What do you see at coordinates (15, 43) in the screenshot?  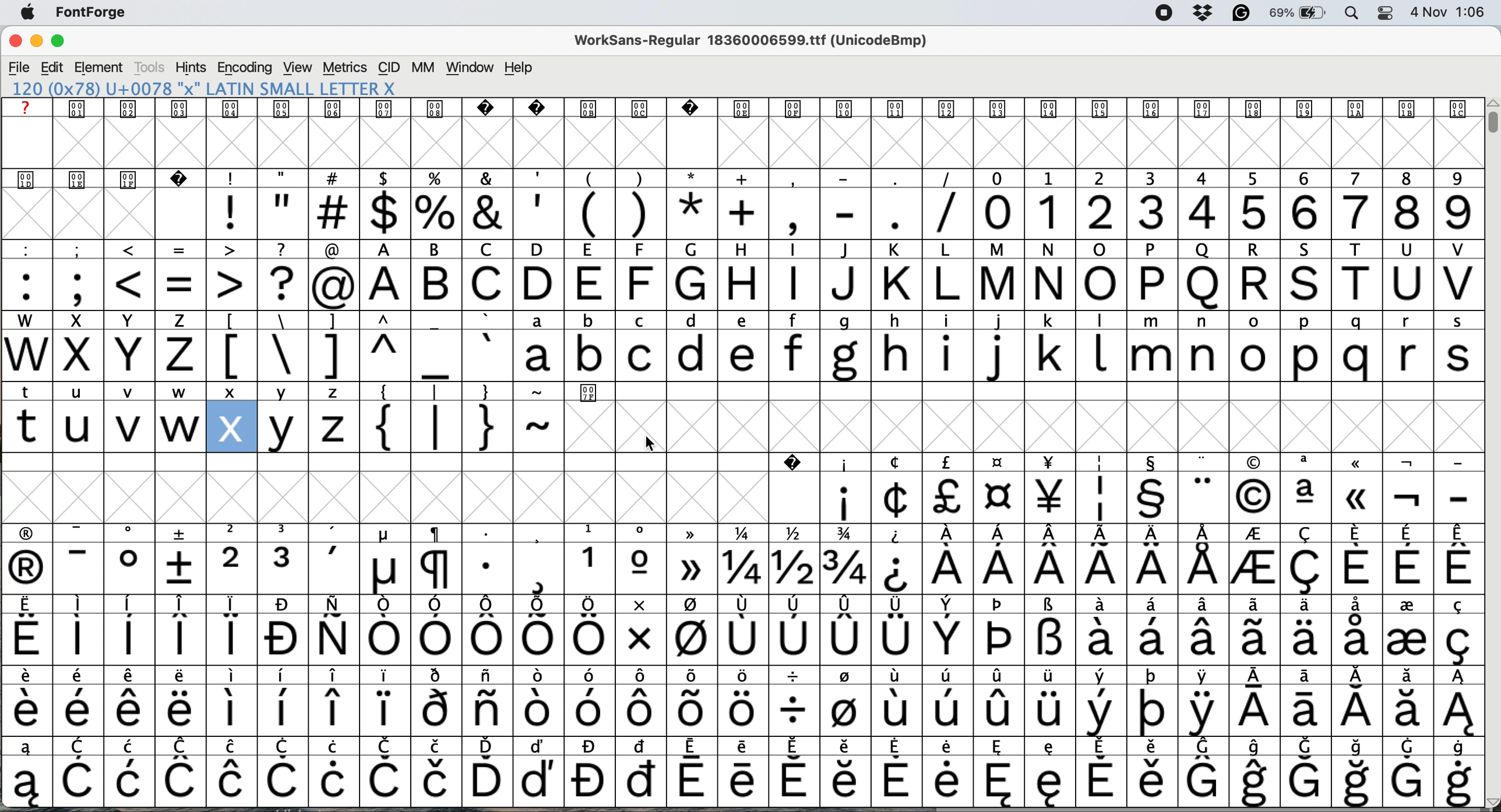 I see `close` at bounding box center [15, 43].